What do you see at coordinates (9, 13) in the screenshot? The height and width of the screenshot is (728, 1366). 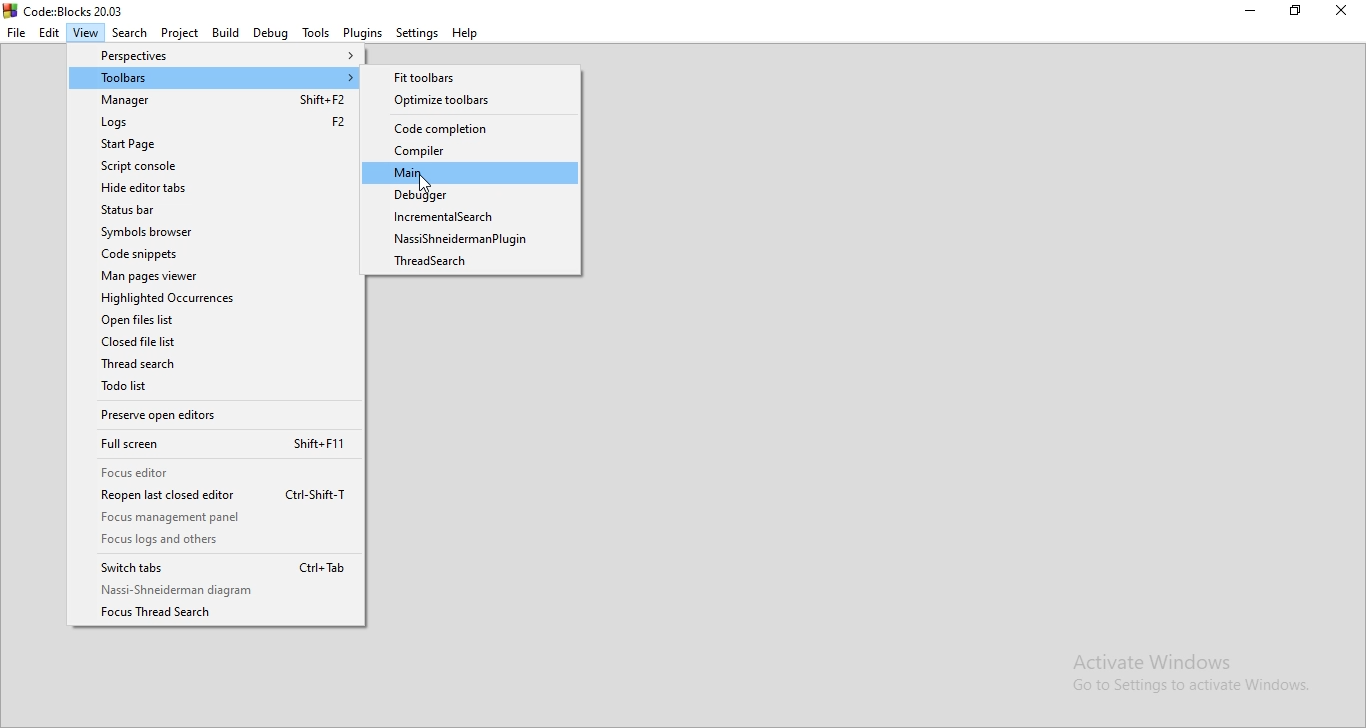 I see `logo` at bounding box center [9, 13].